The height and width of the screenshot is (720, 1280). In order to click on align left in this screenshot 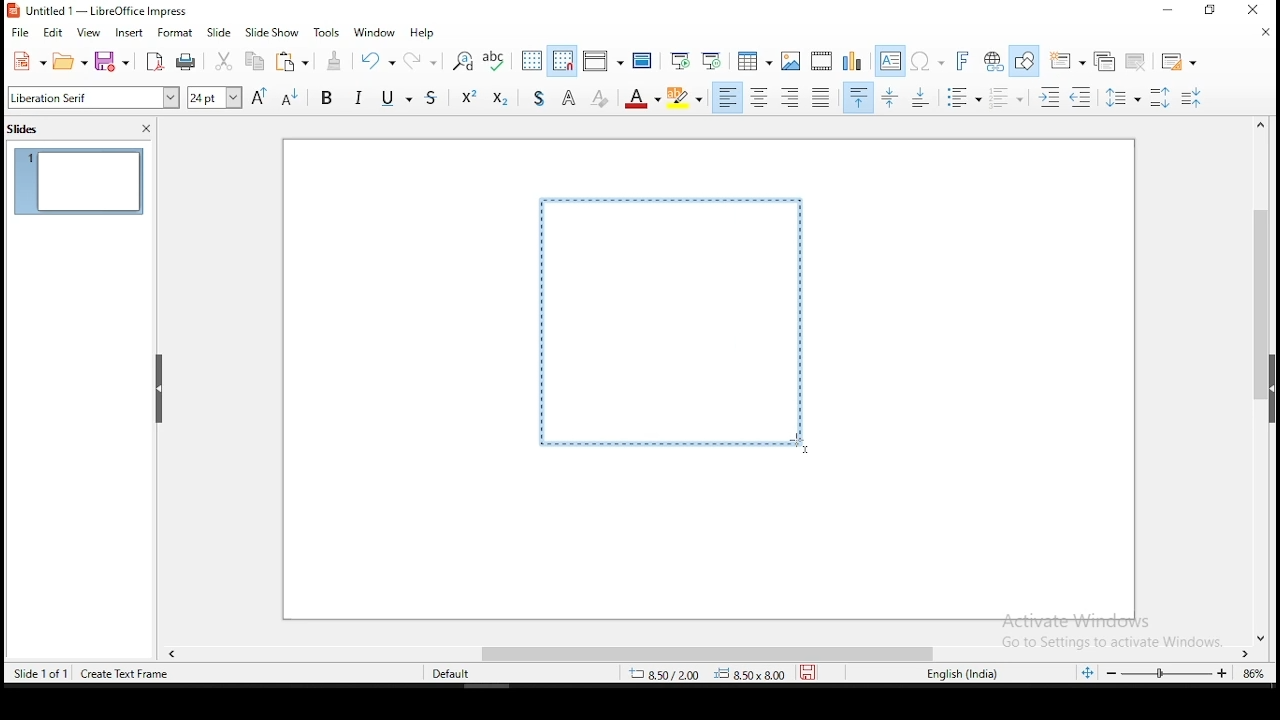, I will do `click(729, 98)`.